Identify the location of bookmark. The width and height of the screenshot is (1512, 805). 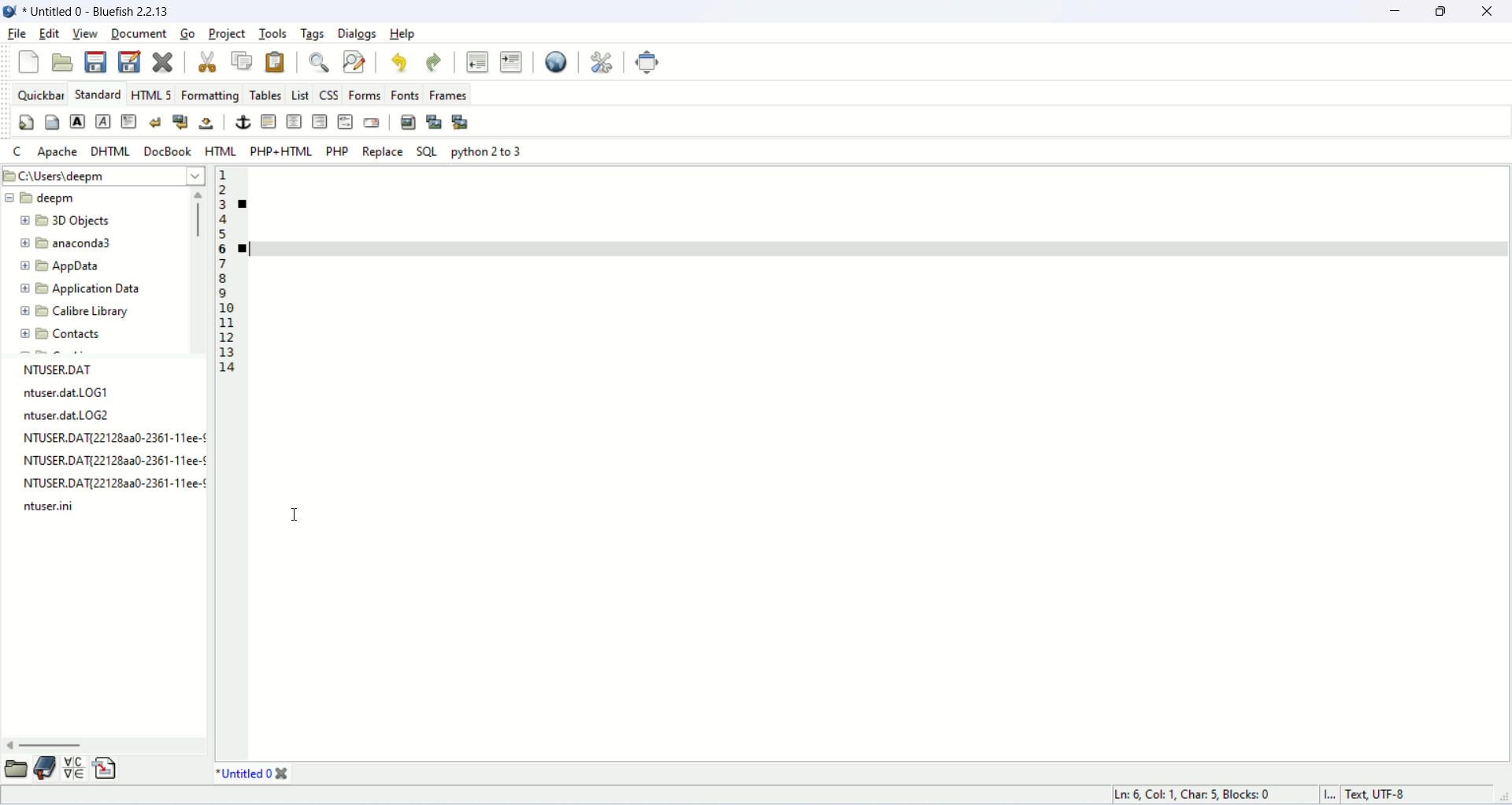
(245, 203).